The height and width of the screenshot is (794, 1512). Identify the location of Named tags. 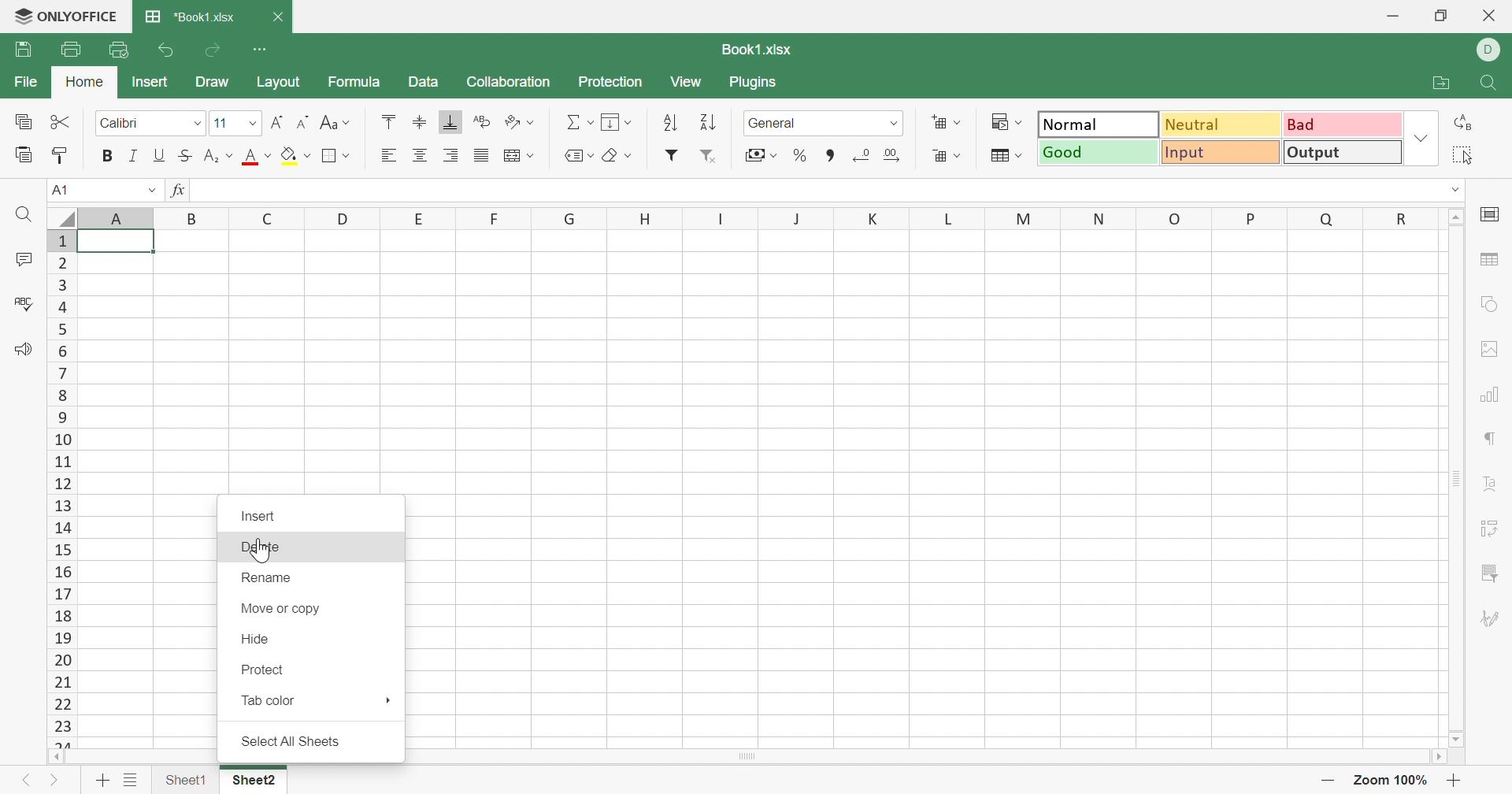
(566, 153).